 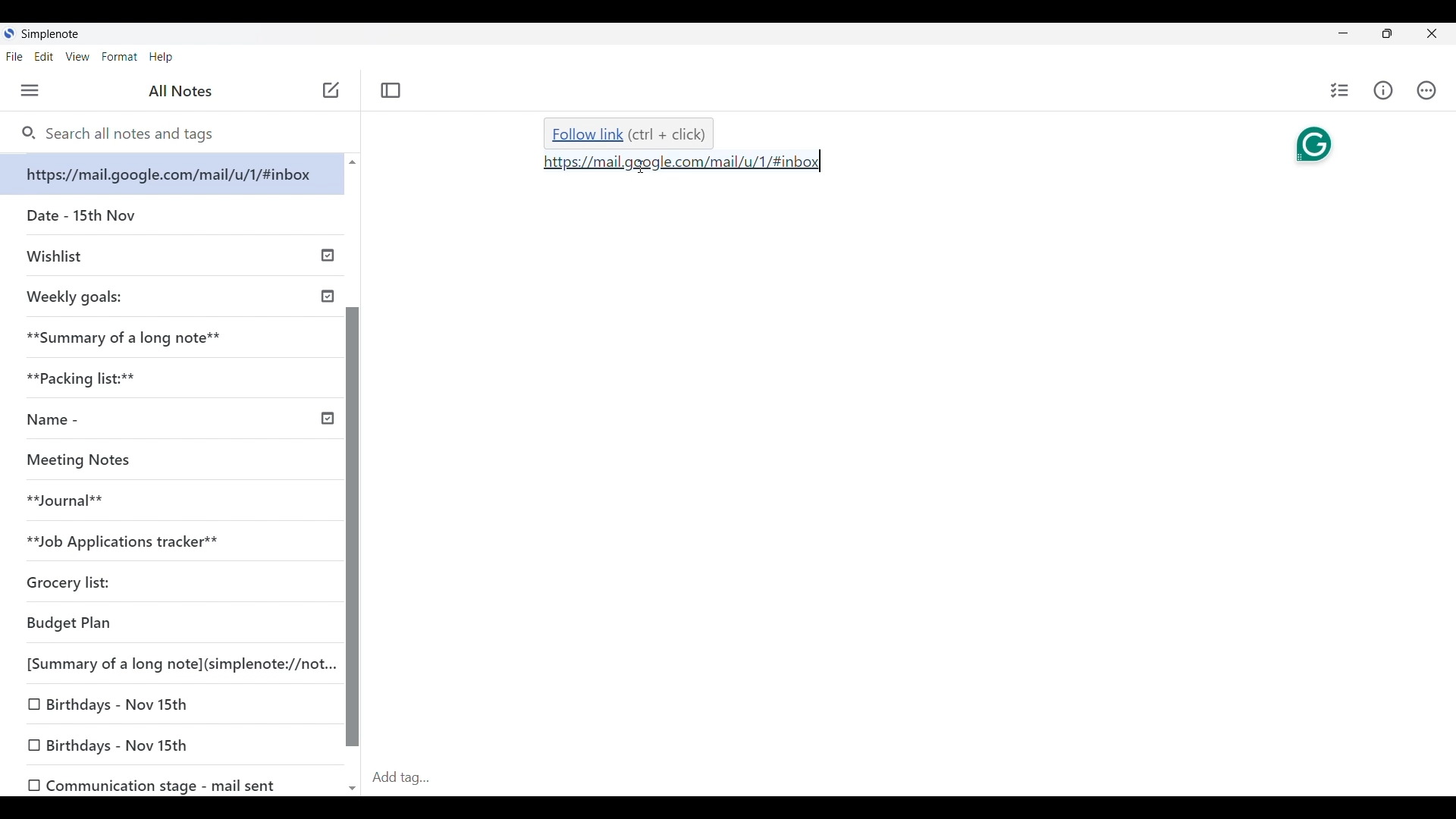 I want to click on Actions, so click(x=1426, y=91).